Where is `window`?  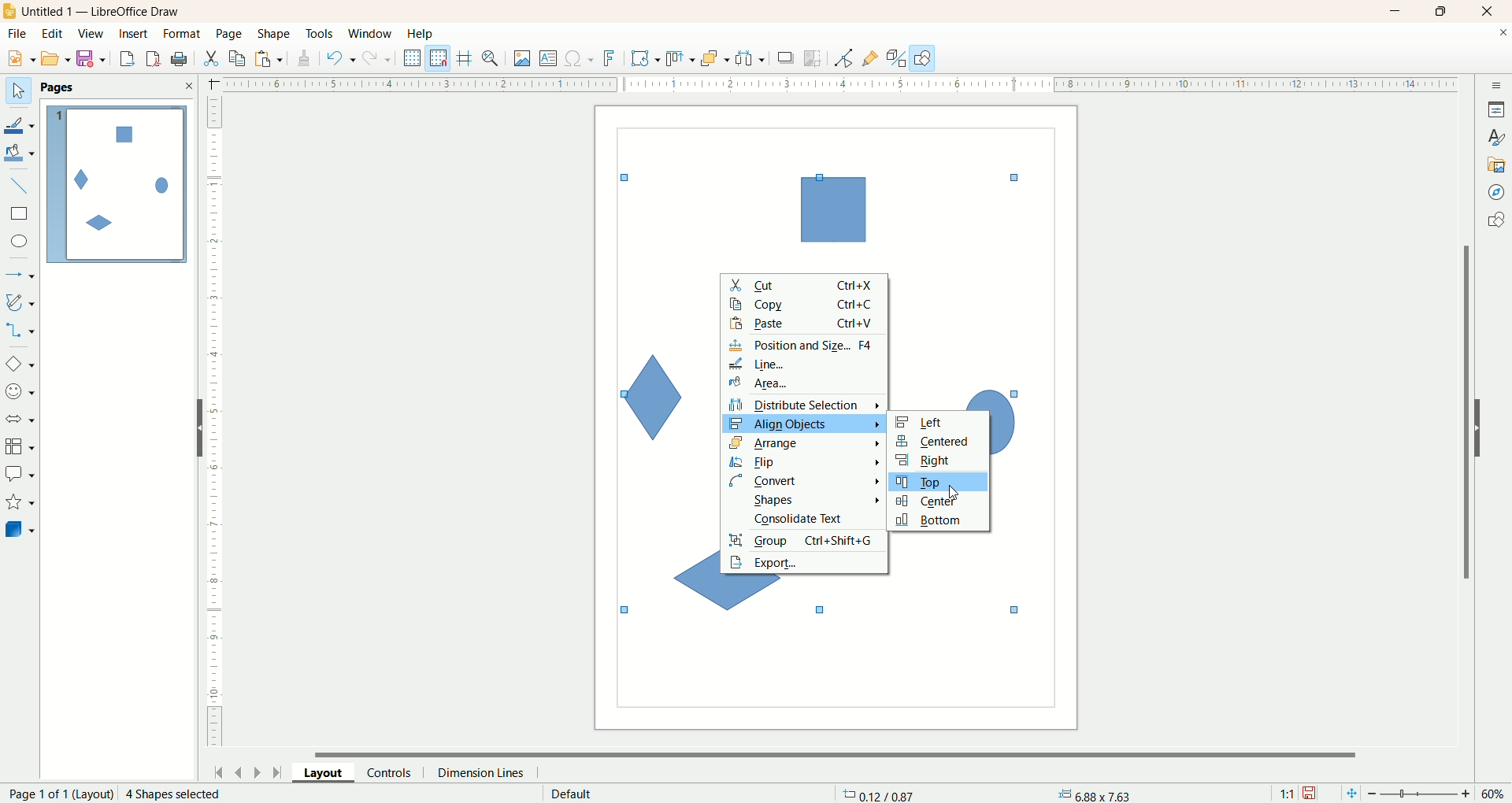
window is located at coordinates (374, 35).